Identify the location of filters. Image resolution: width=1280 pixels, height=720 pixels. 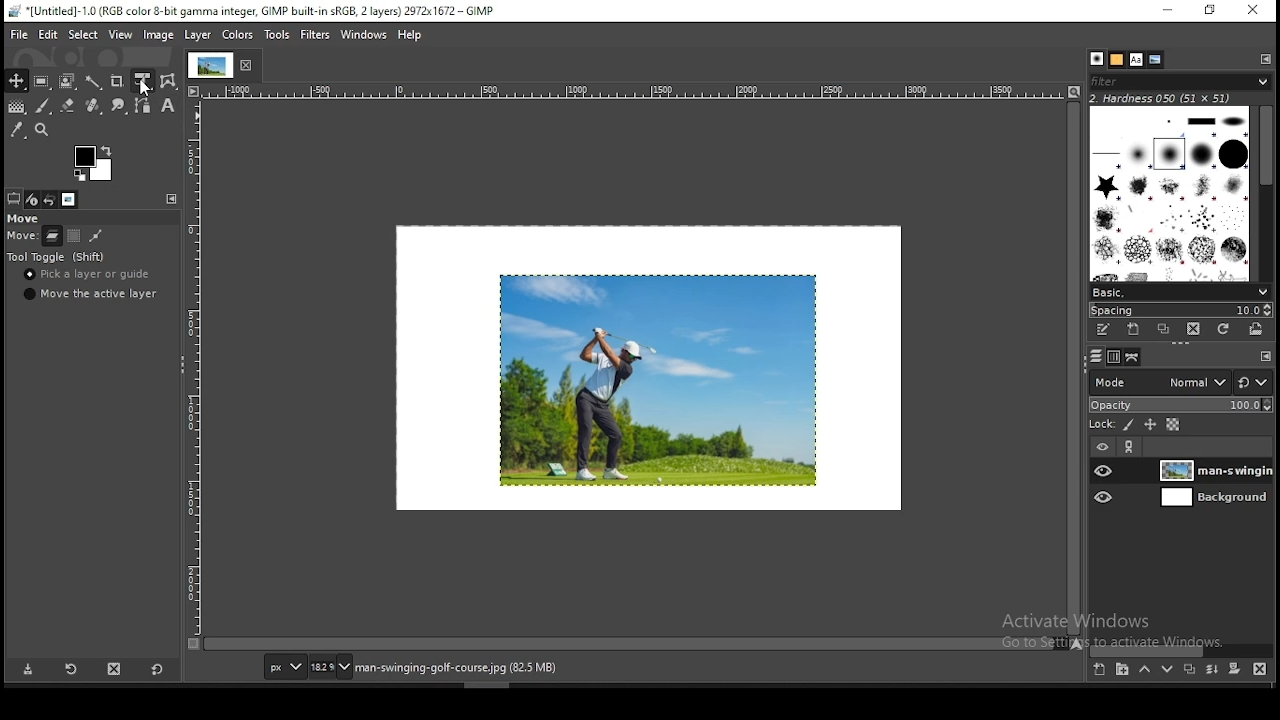
(314, 34).